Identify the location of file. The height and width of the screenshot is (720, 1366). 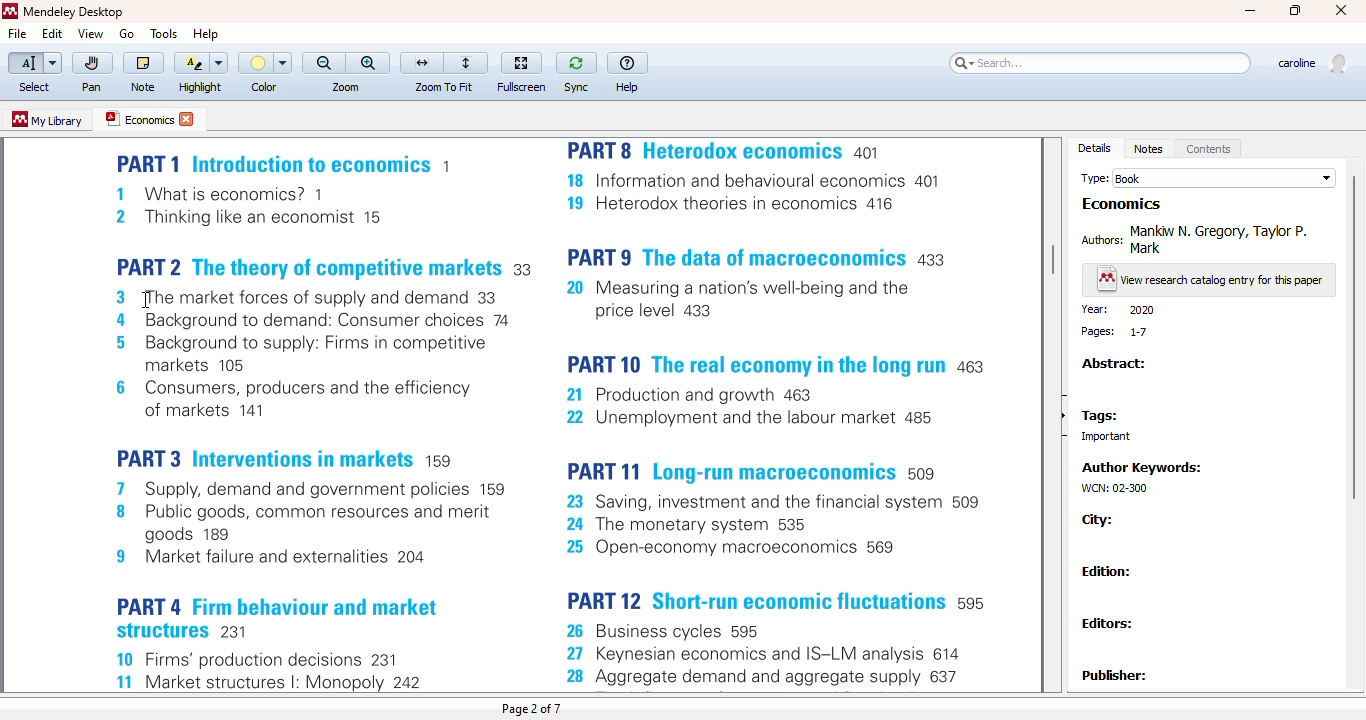
(16, 34).